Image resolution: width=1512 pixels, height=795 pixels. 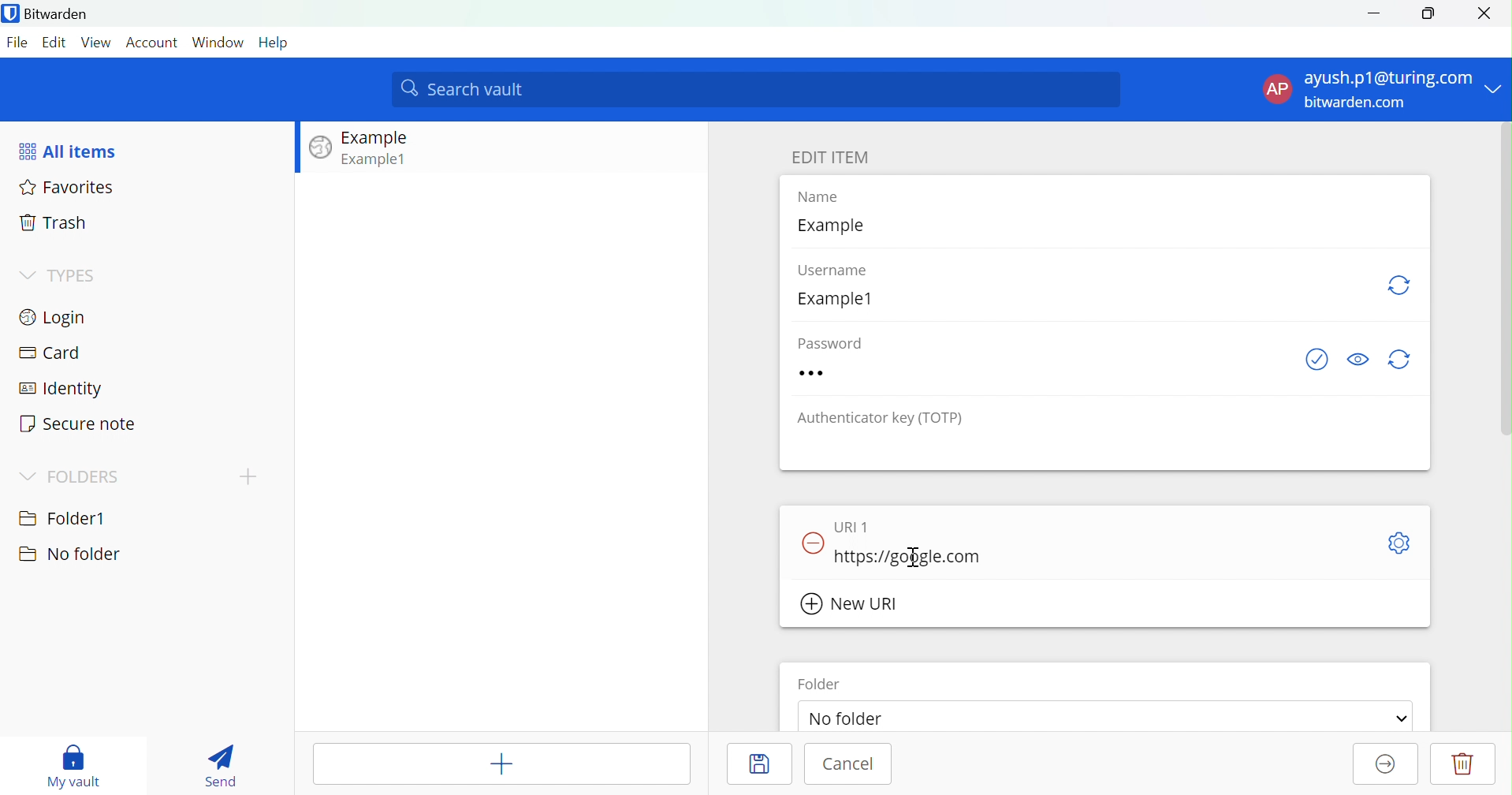 What do you see at coordinates (830, 157) in the screenshot?
I see `EDIT ITEM` at bounding box center [830, 157].